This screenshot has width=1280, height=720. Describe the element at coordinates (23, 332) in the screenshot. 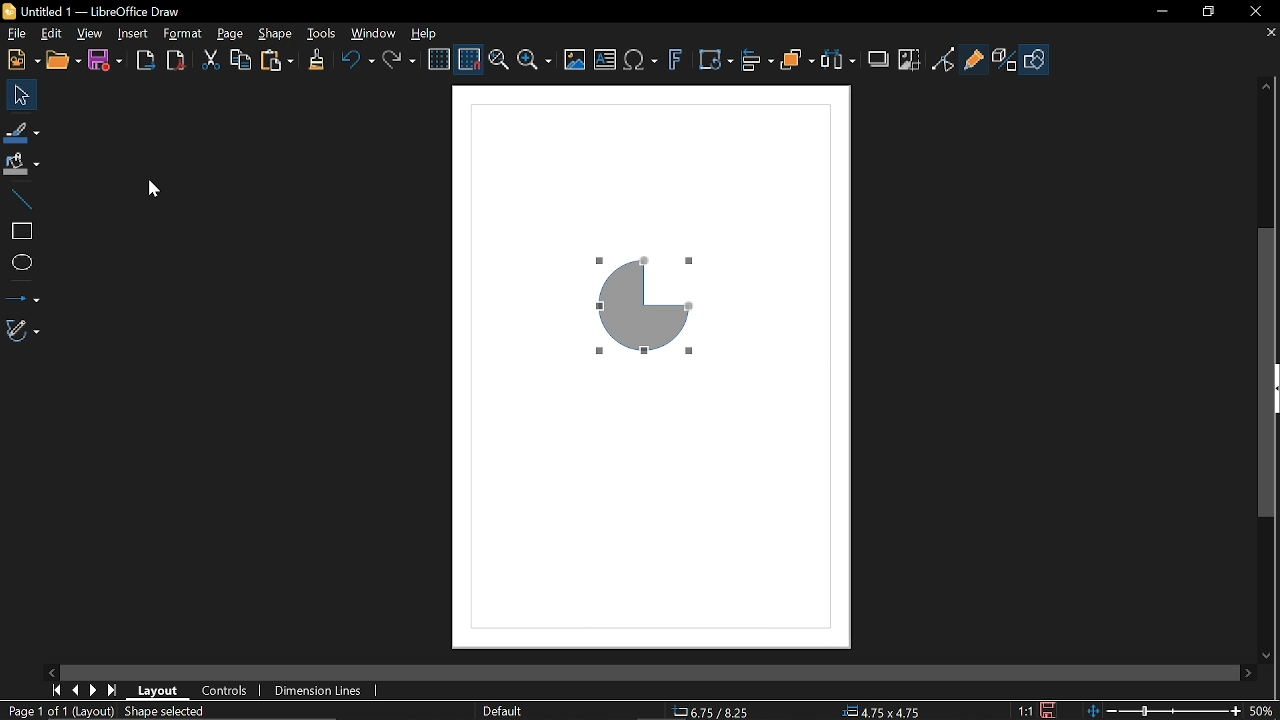

I see `Curves and polygons` at that location.